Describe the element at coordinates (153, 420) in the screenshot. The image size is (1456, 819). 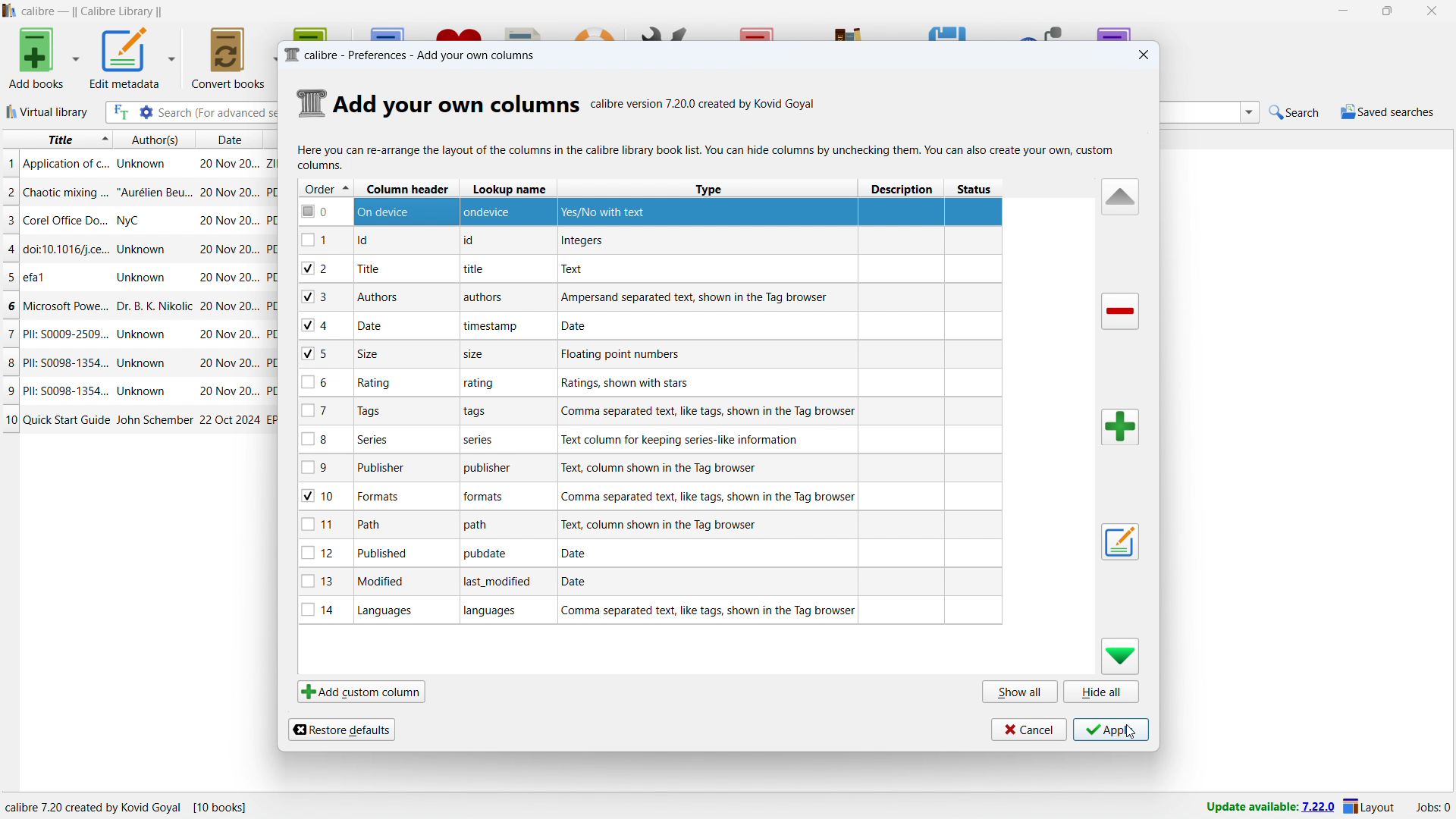
I see `author` at that location.